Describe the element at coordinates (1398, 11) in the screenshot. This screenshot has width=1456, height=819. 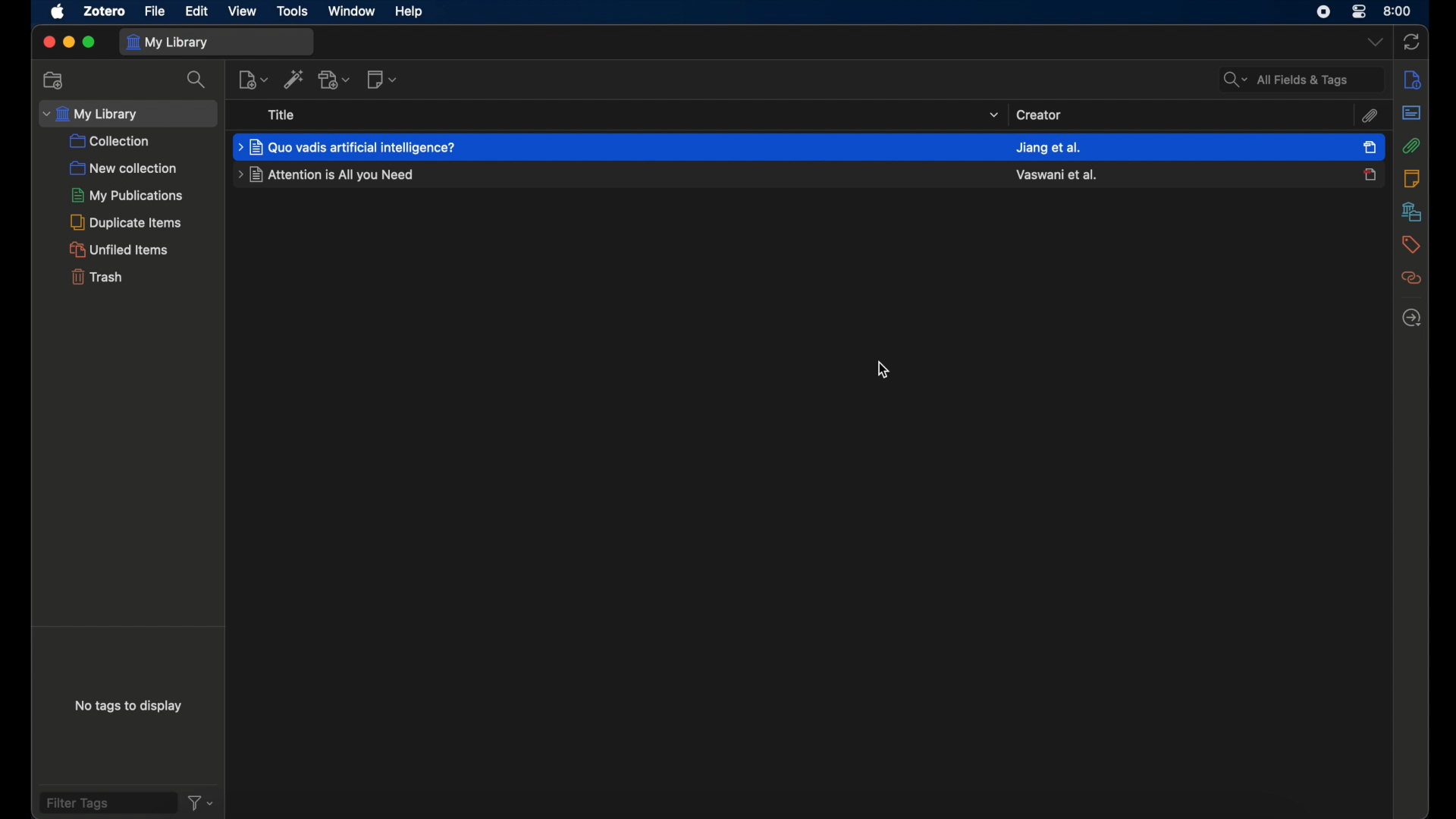
I see `time` at that location.